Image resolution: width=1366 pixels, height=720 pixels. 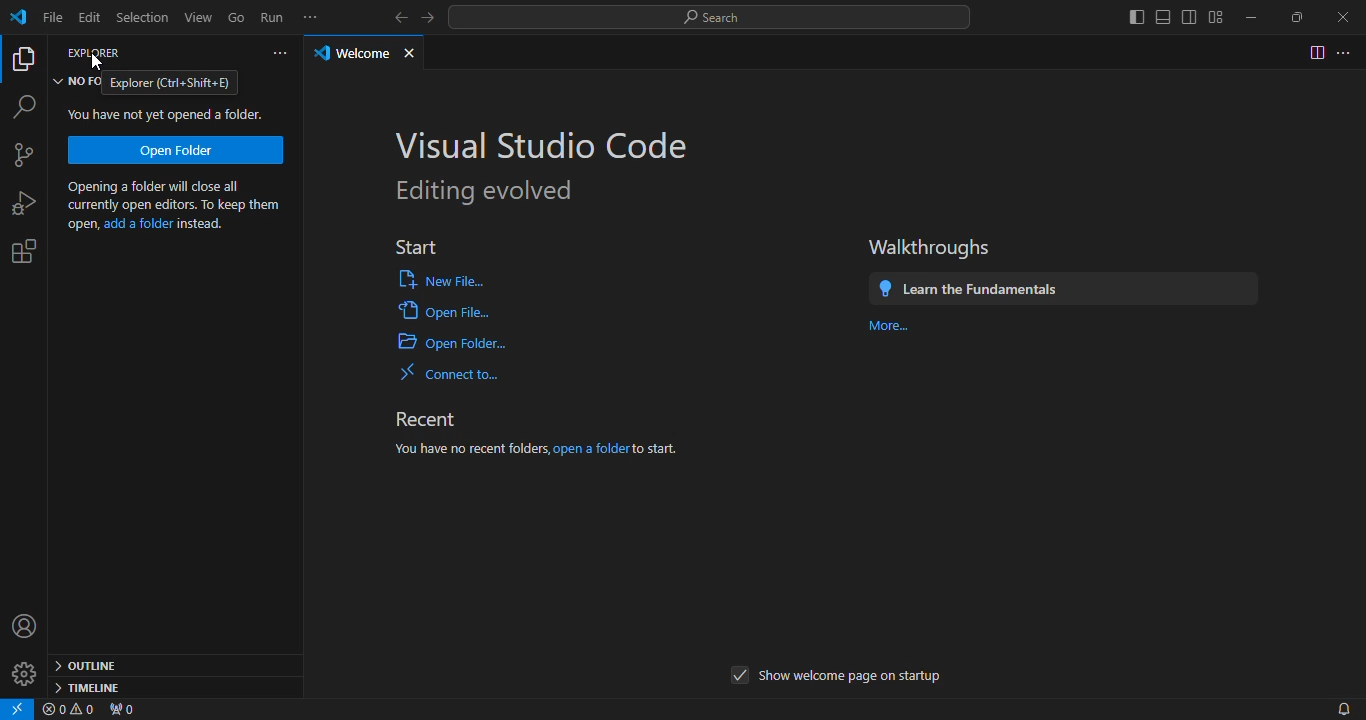 I want to click on walkthroughs, so click(x=935, y=247).